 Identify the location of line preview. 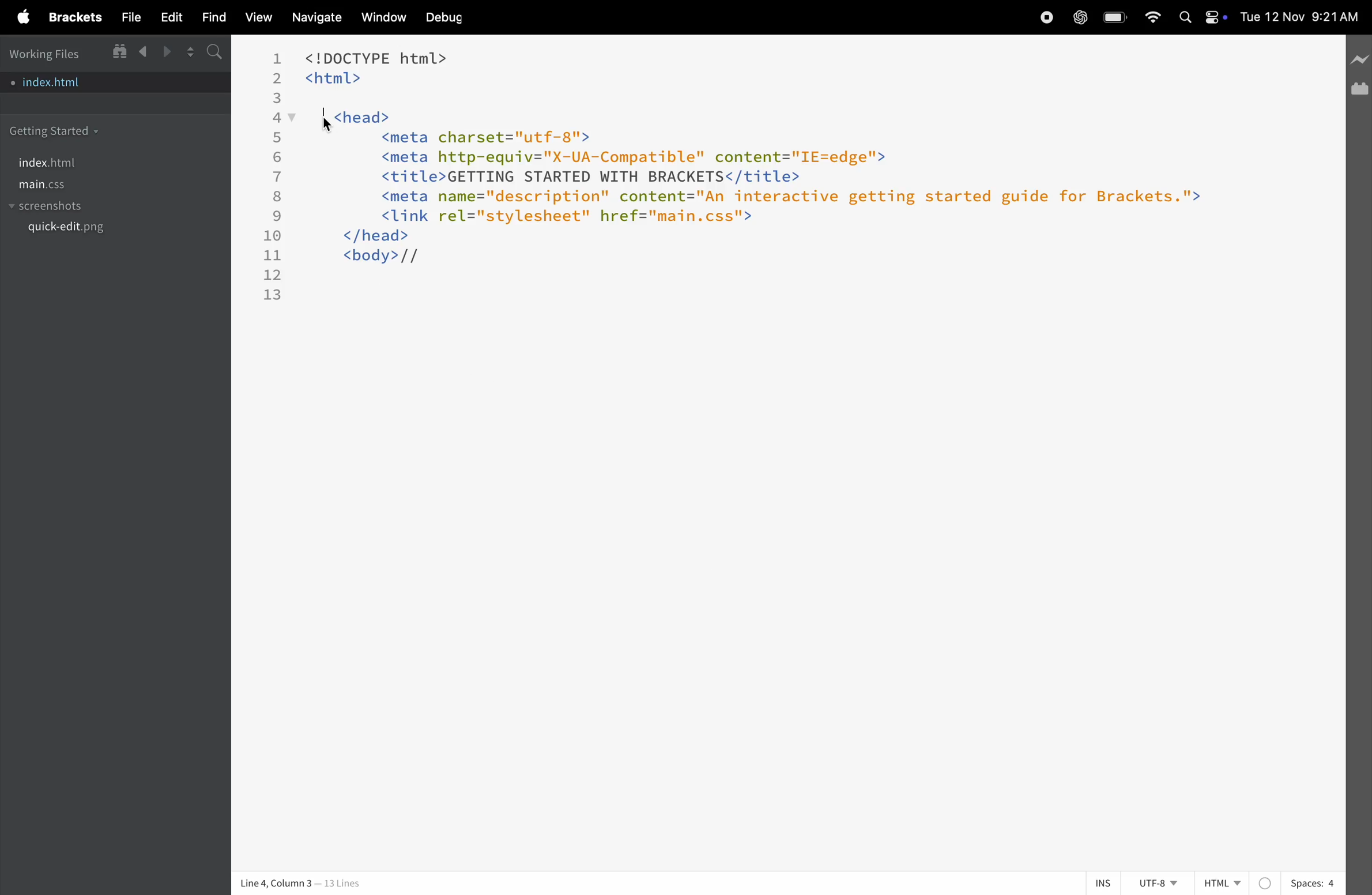
(1359, 60).